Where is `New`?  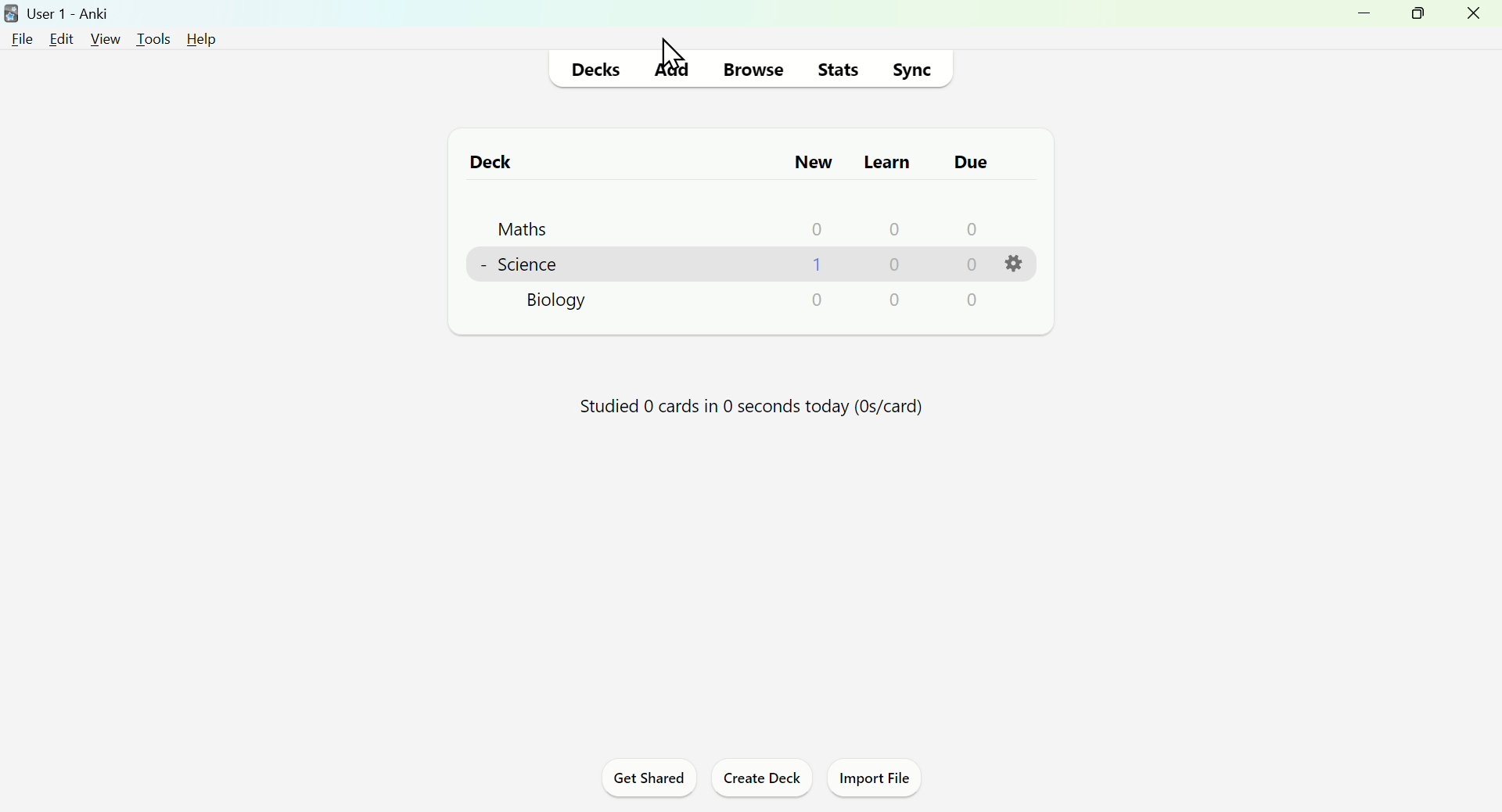
New is located at coordinates (814, 163).